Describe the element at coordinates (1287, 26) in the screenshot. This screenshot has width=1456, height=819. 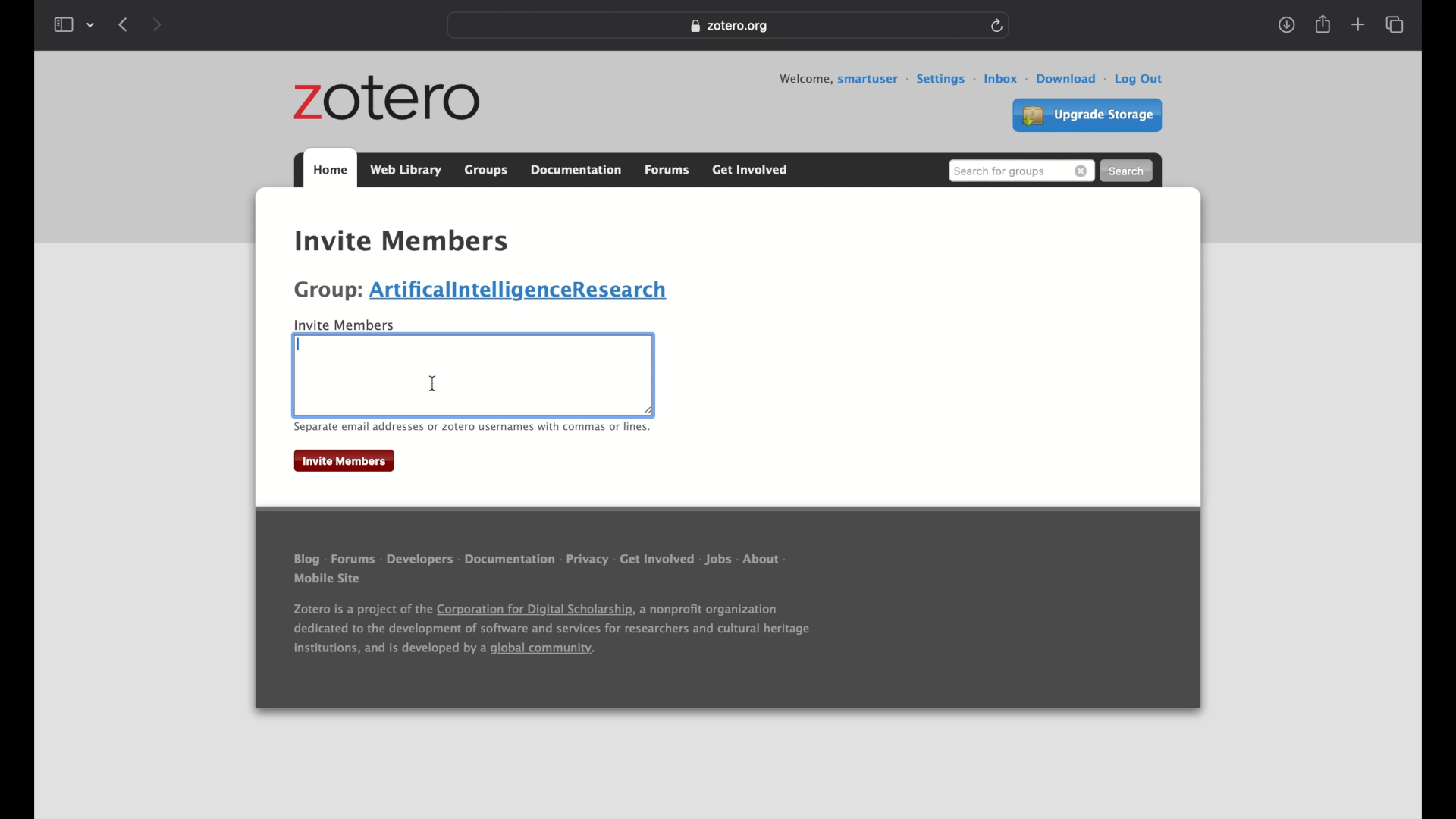
I see `download` at that location.